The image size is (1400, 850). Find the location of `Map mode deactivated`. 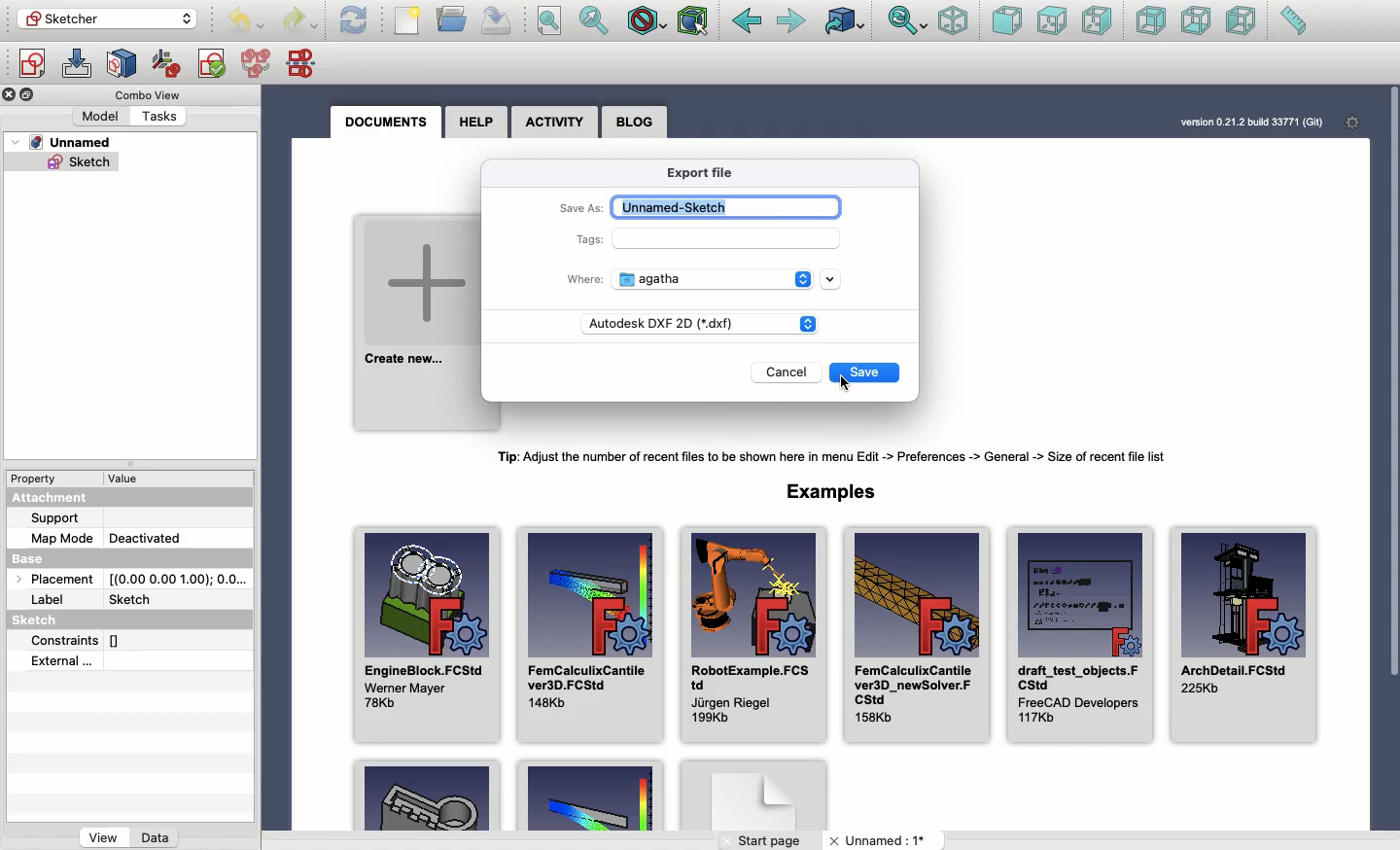

Map mode deactivated is located at coordinates (109, 538).